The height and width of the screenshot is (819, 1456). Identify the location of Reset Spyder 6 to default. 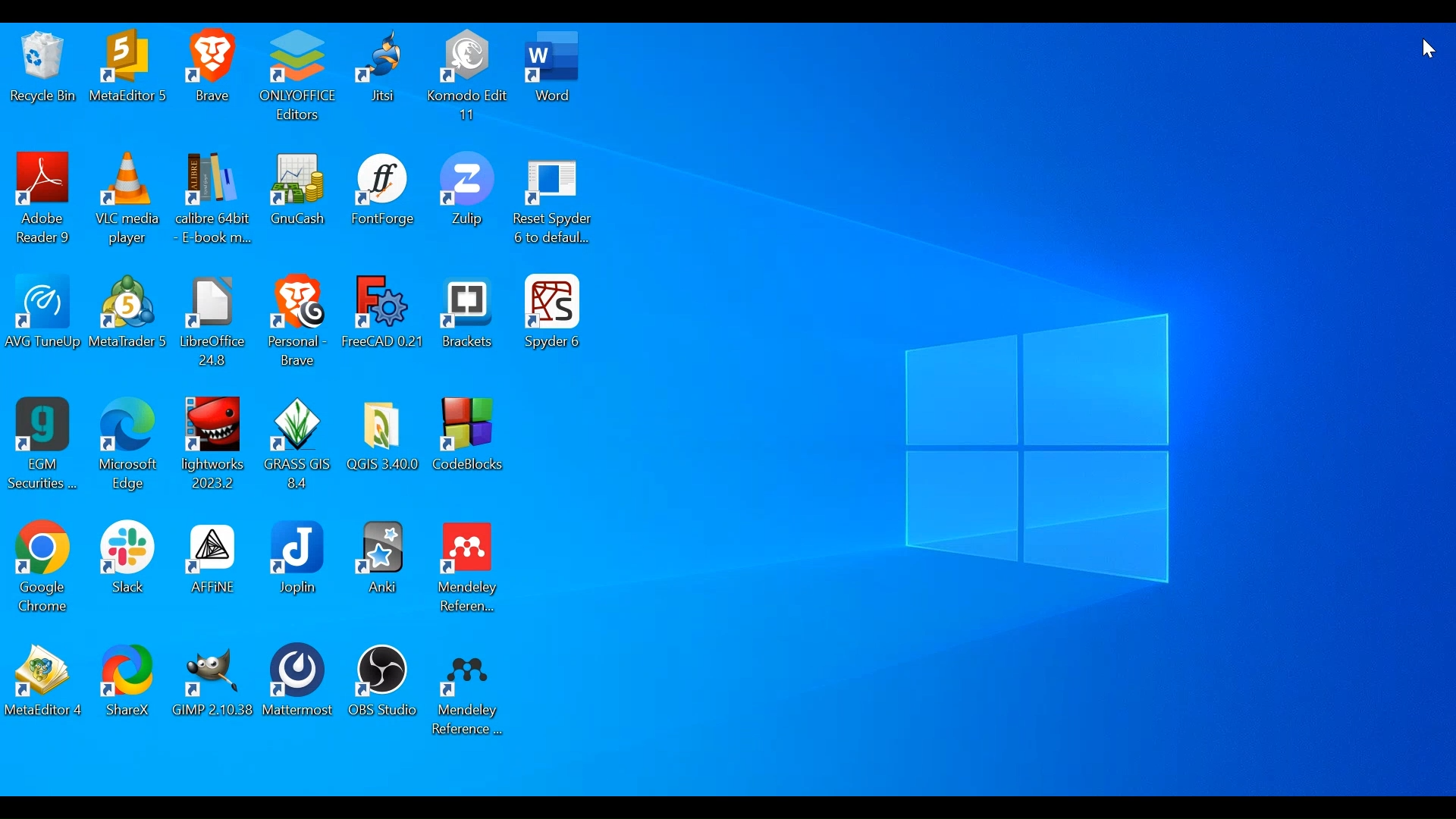
(553, 203).